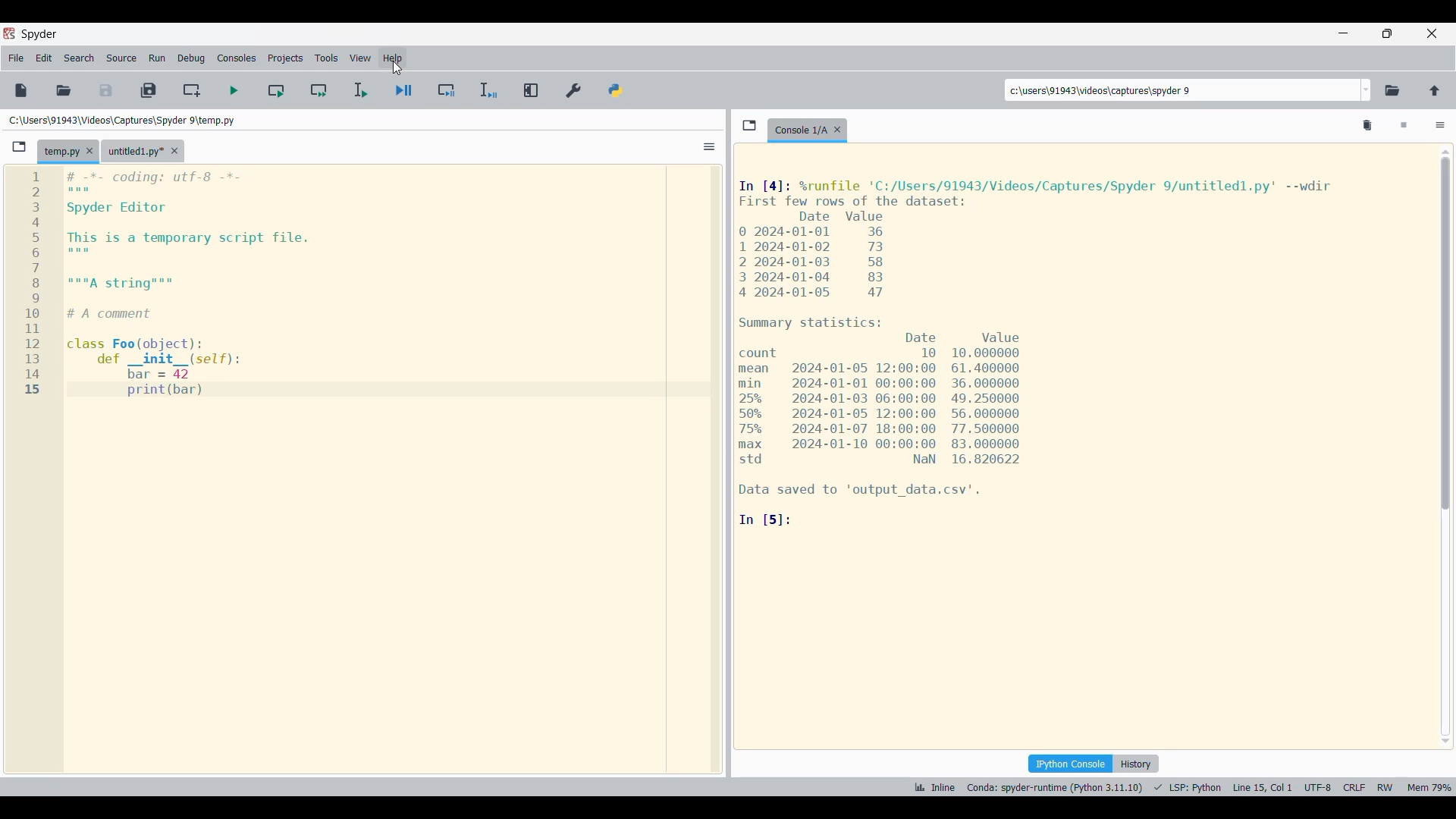 This screenshot has height=819, width=1456. I want to click on Maximize current pane, so click(532, 90).